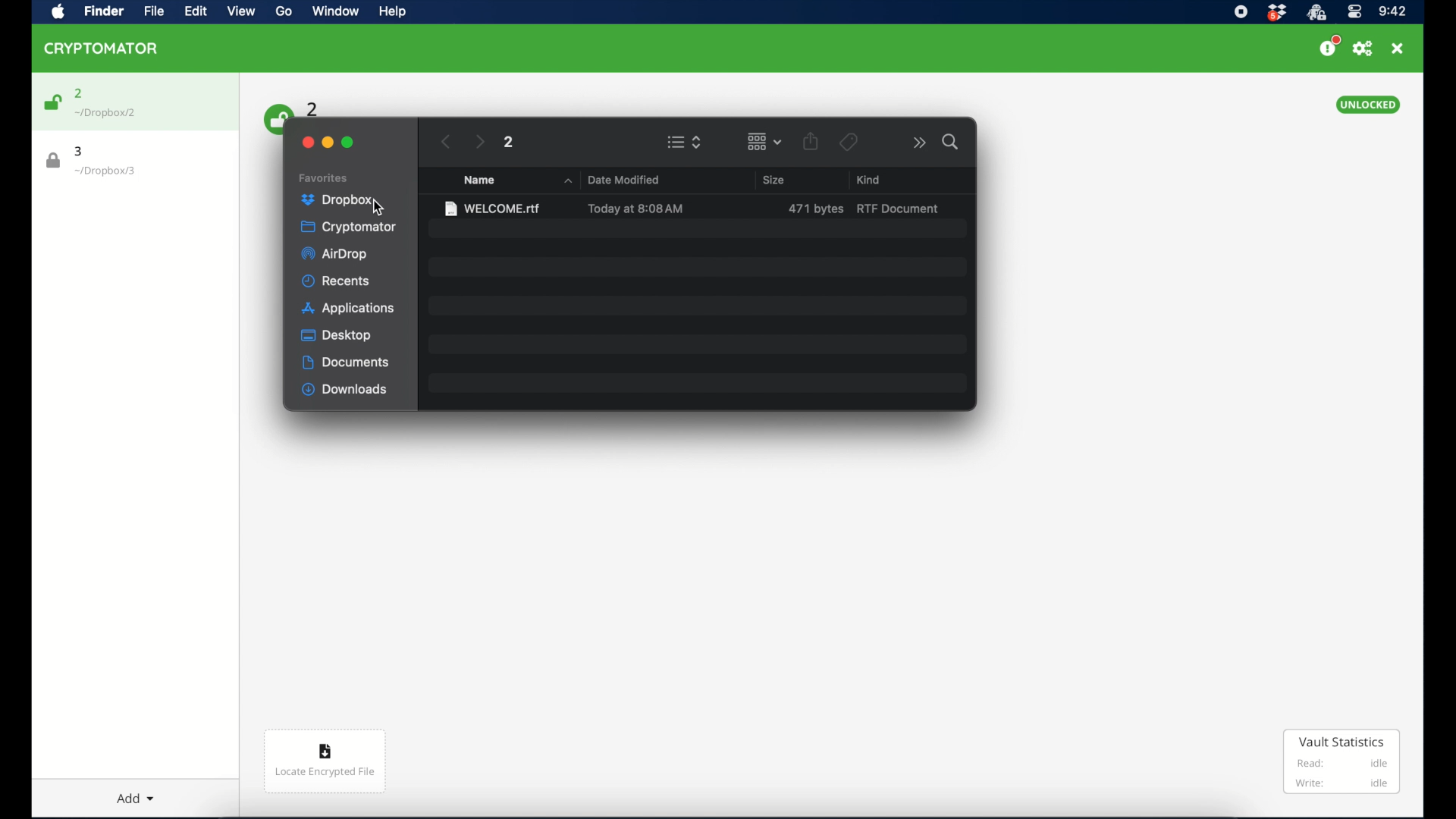 The height and width of the screenshot is (819, 1456). What do you see at coordinates (1276, 13) in the screenshot?
I see `dropbox icon` at bounding box center [1276, 13].